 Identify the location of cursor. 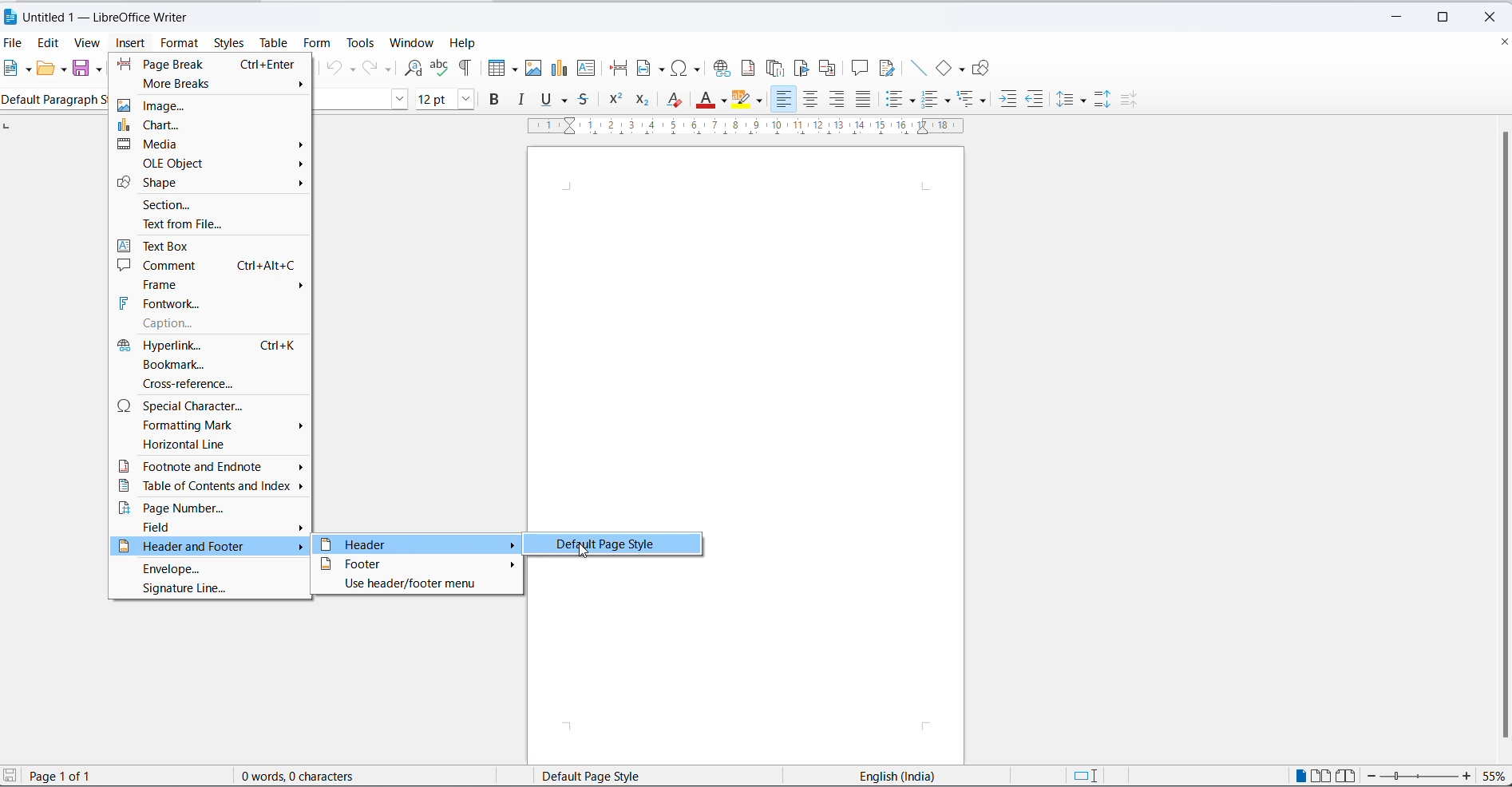
(587, 552).